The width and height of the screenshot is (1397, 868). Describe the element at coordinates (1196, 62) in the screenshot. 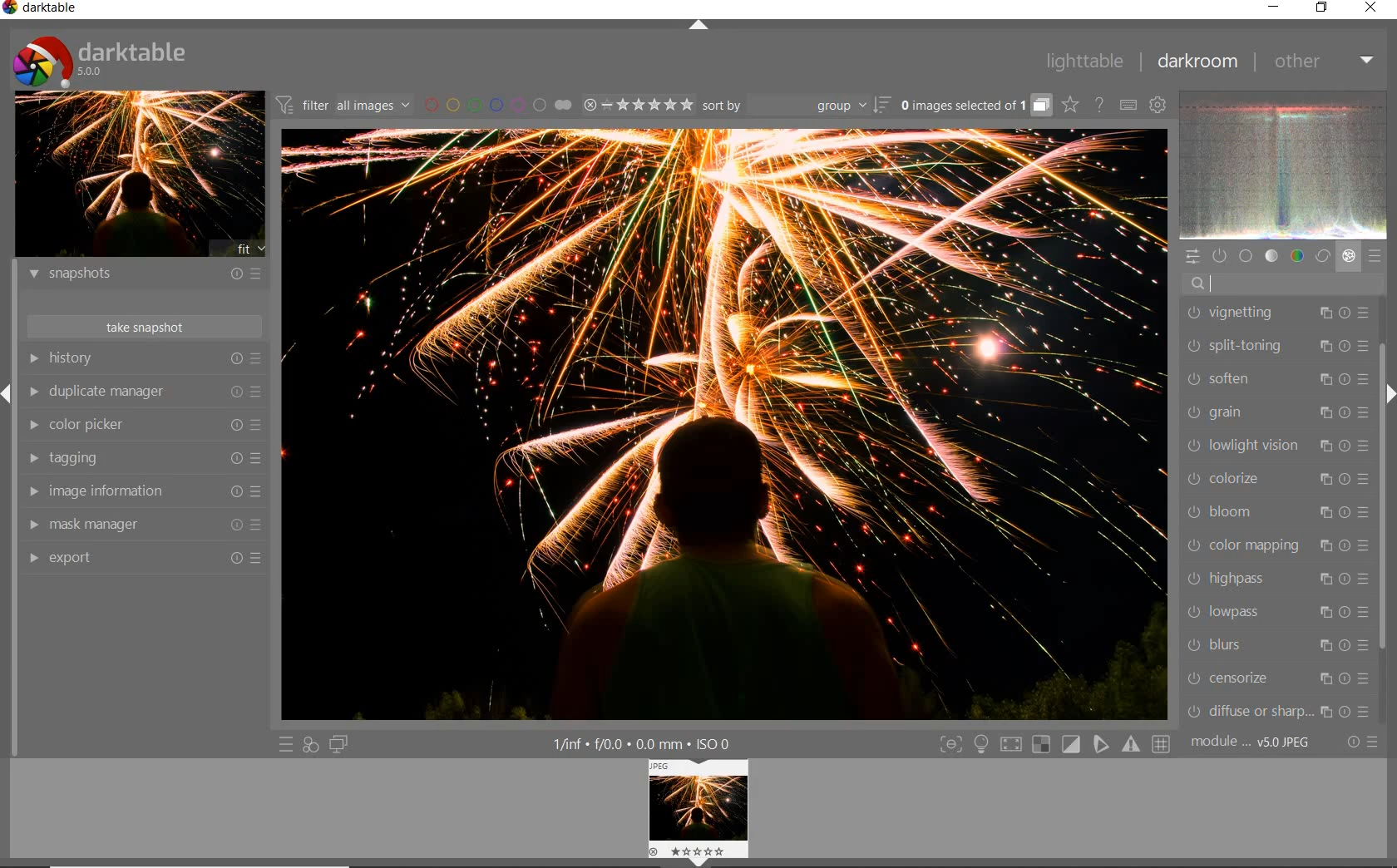

I see `darkroom` at that location.